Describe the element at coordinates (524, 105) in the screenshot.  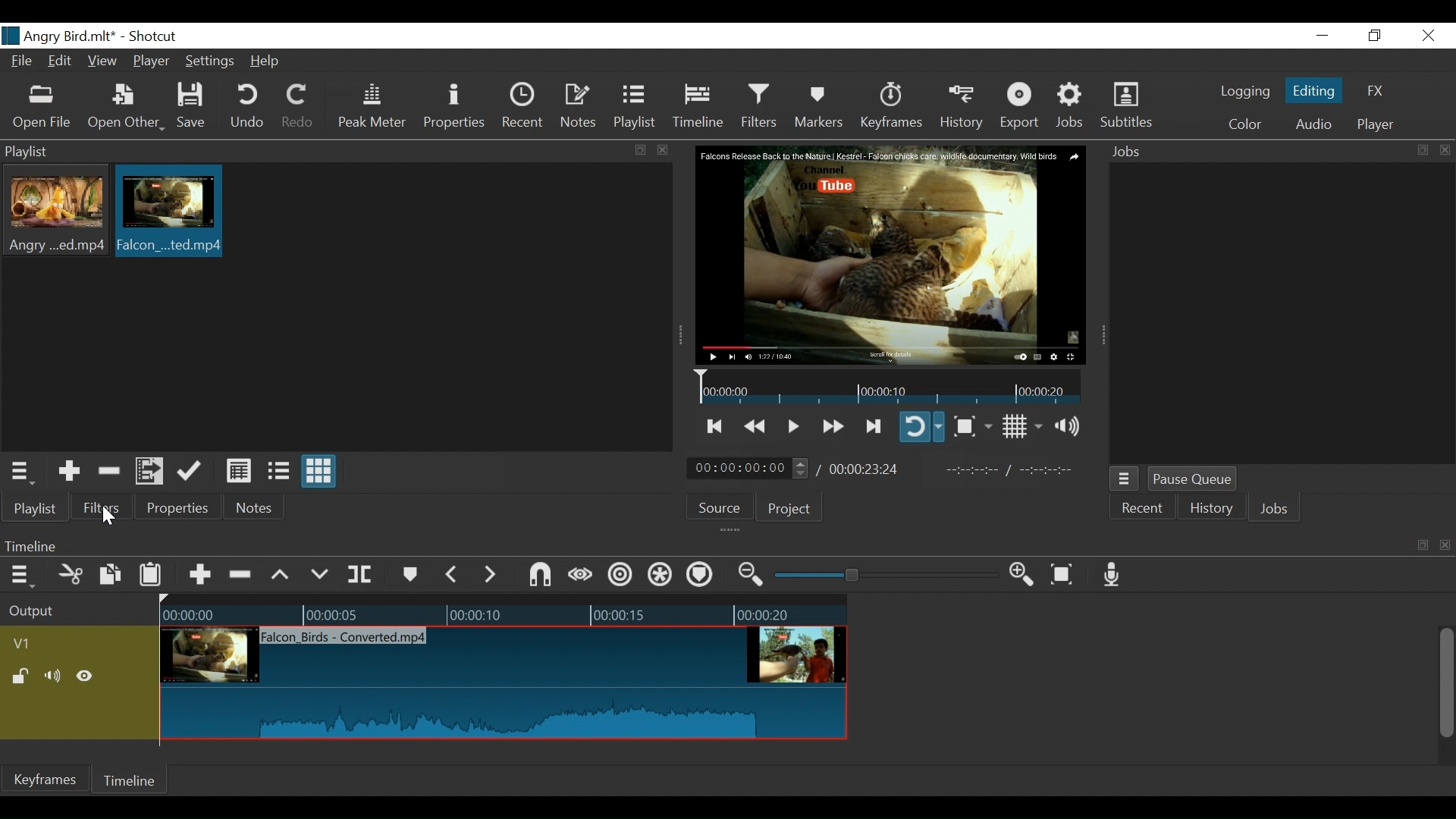
I see `Recent` at that location.